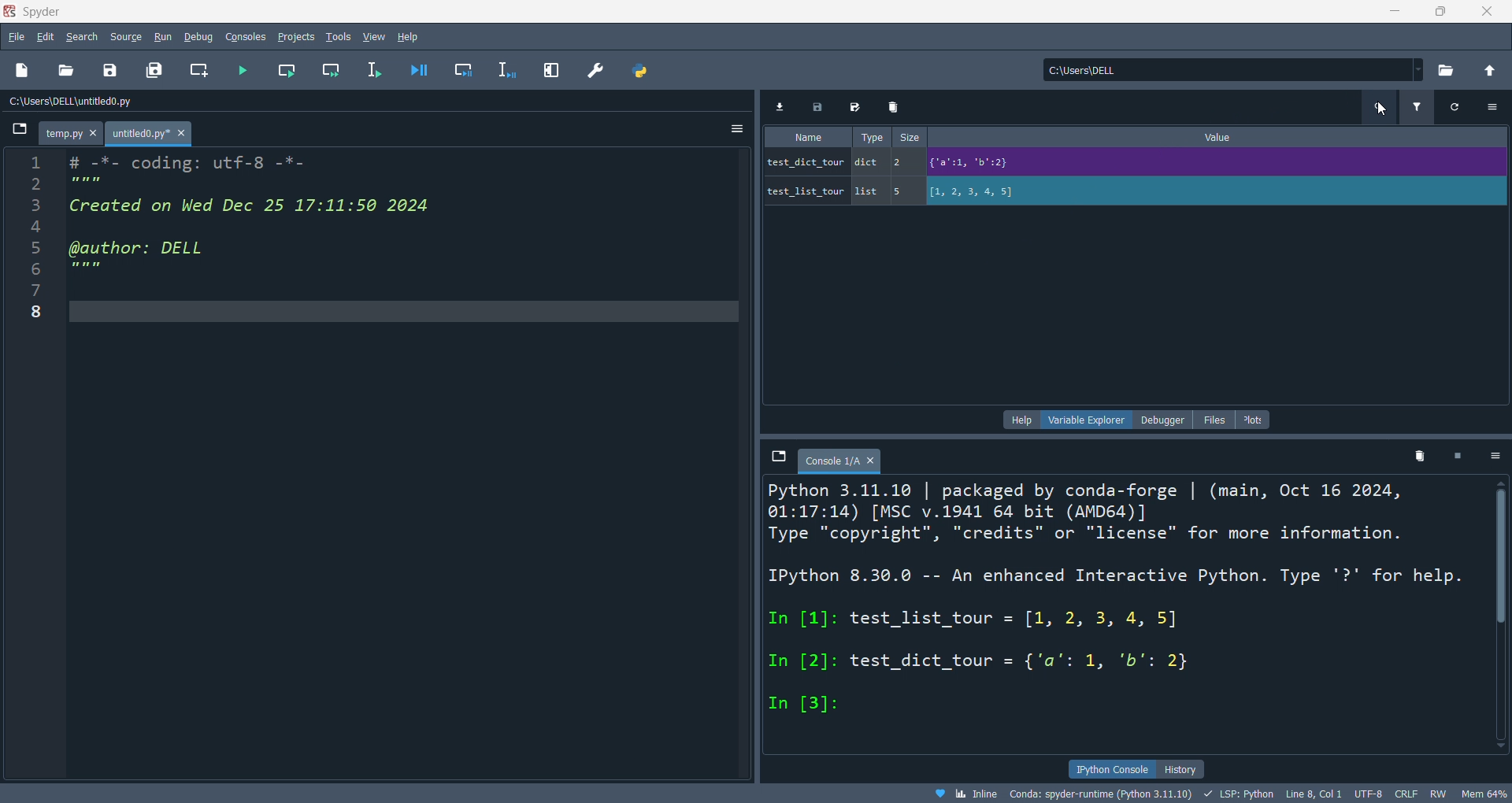  I want to click on run cell and move, so click(328, 72).